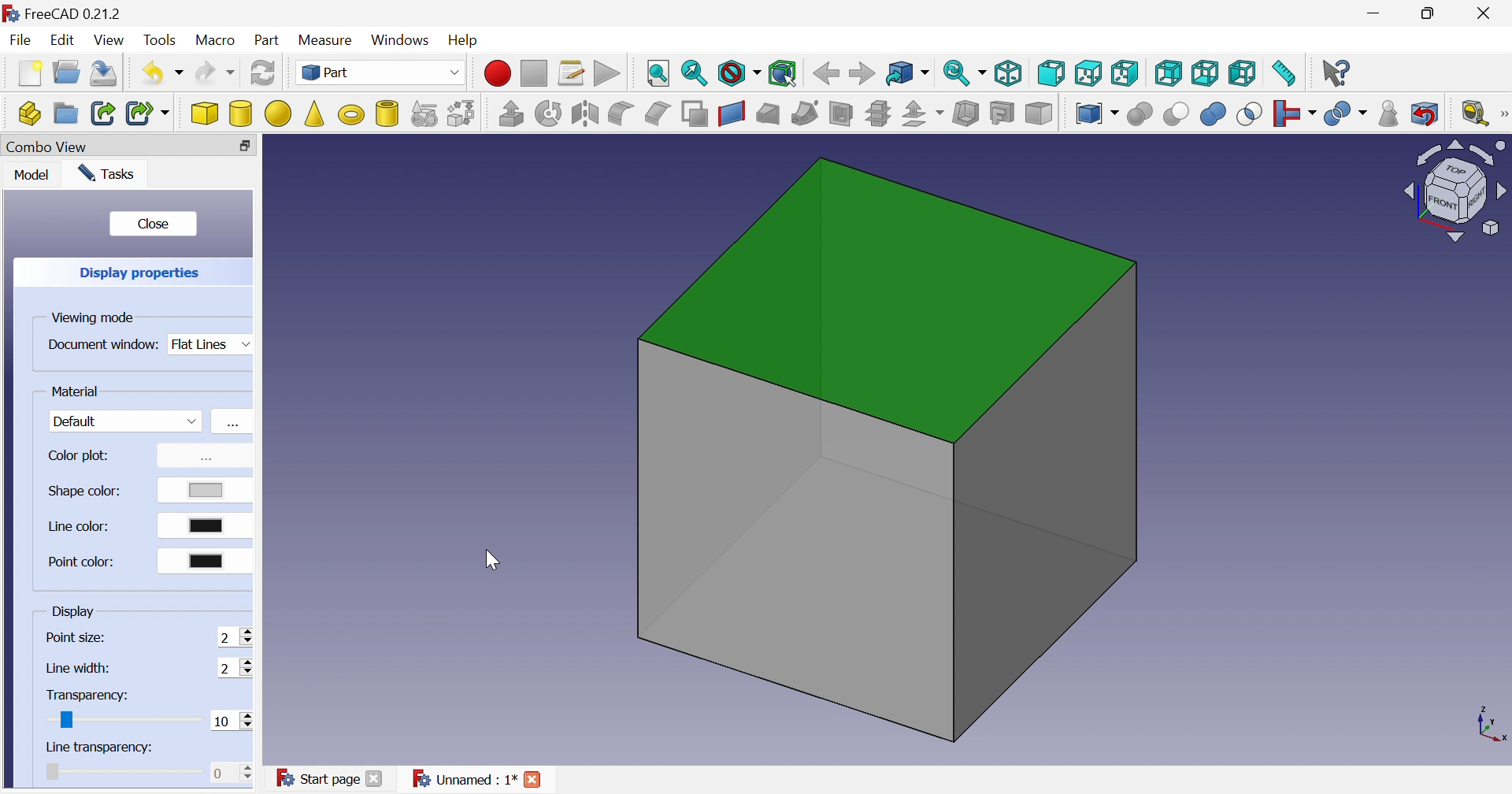 The height and width of the screenshot is (794, 1512). I want to click on Color plot, so click(81, 457).